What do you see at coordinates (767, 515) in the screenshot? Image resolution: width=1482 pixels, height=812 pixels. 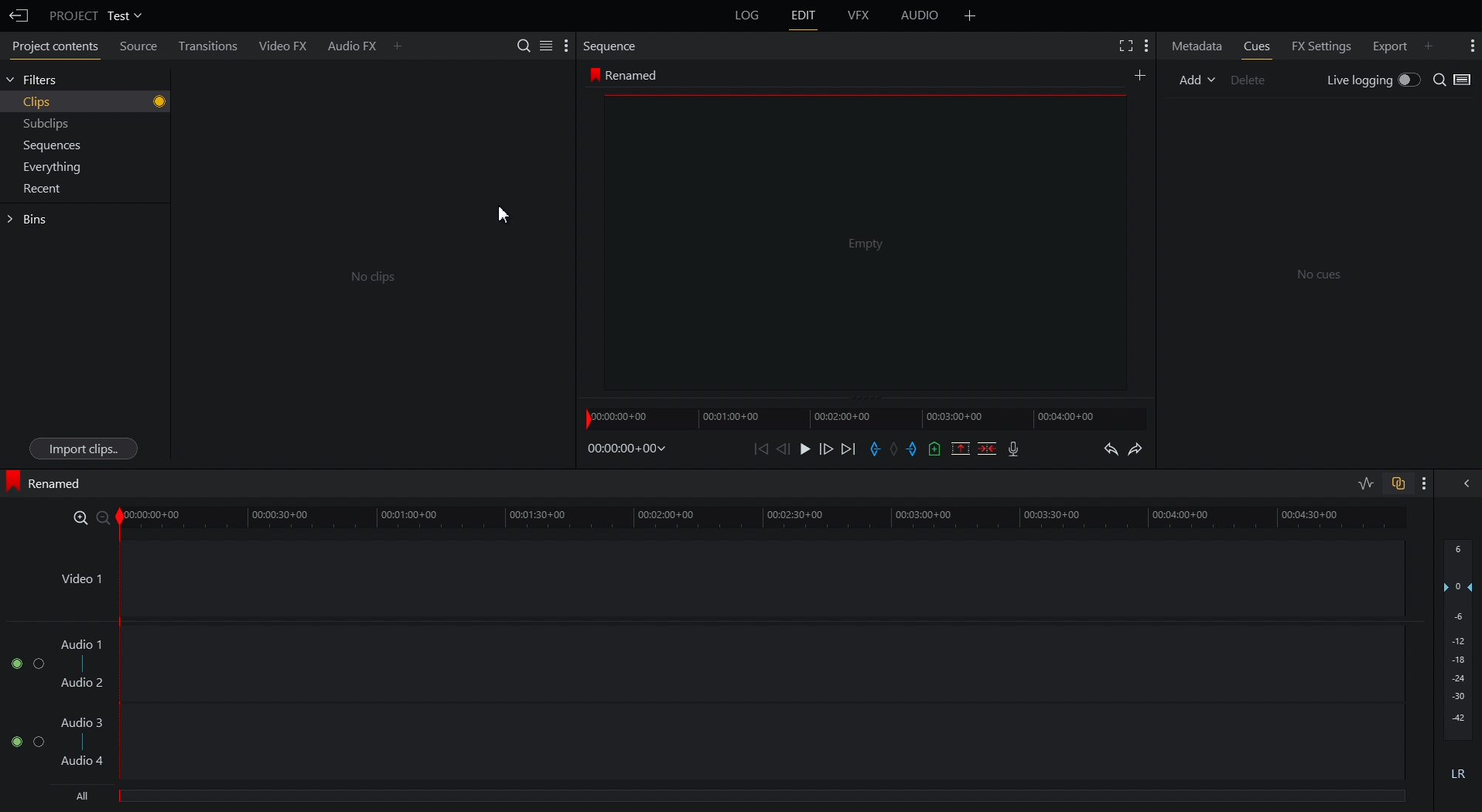 I see `Timeline` at bounding box center [767, 515].